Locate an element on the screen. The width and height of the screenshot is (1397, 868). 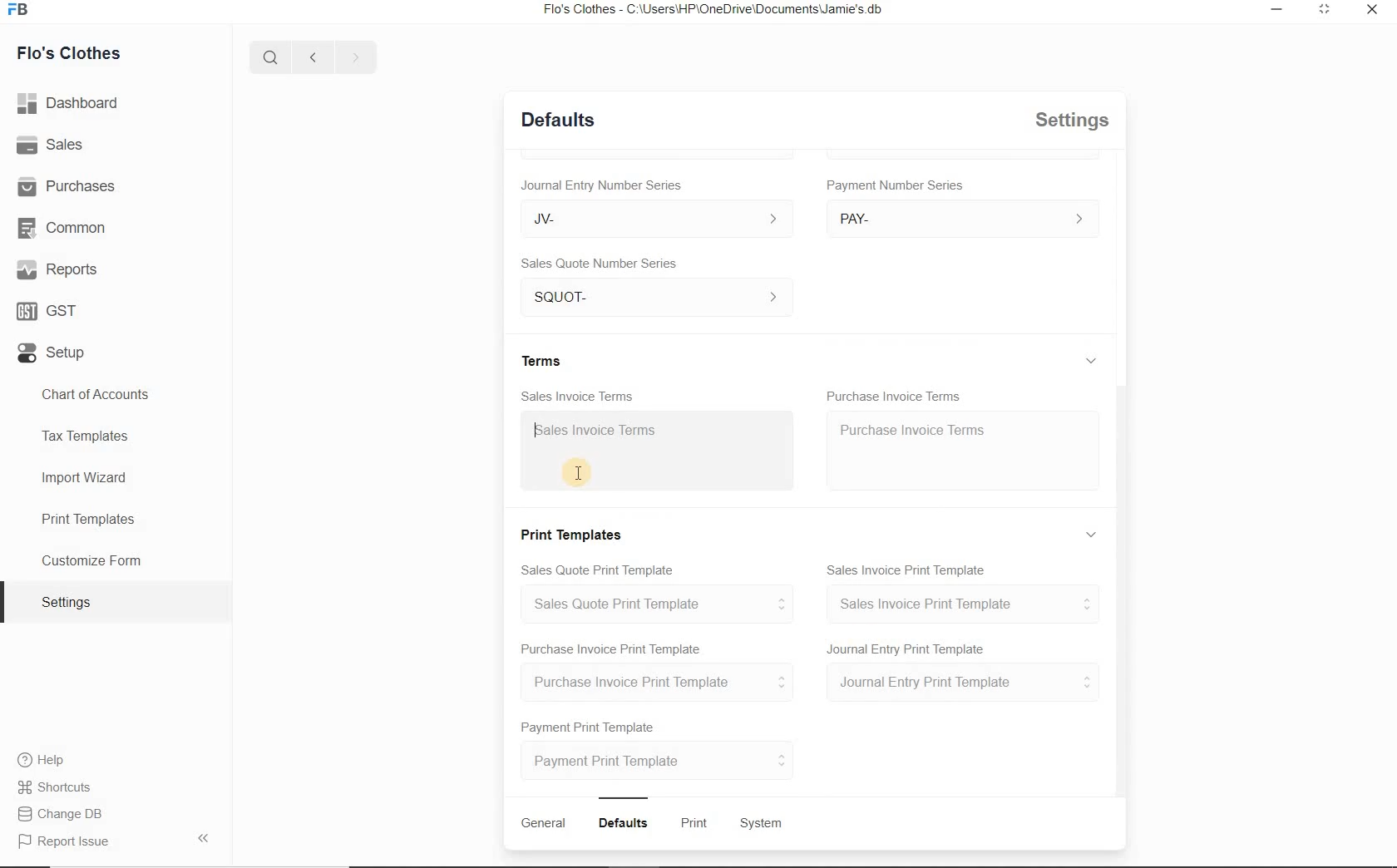
Maximize is located at coordinates (1327, 10).